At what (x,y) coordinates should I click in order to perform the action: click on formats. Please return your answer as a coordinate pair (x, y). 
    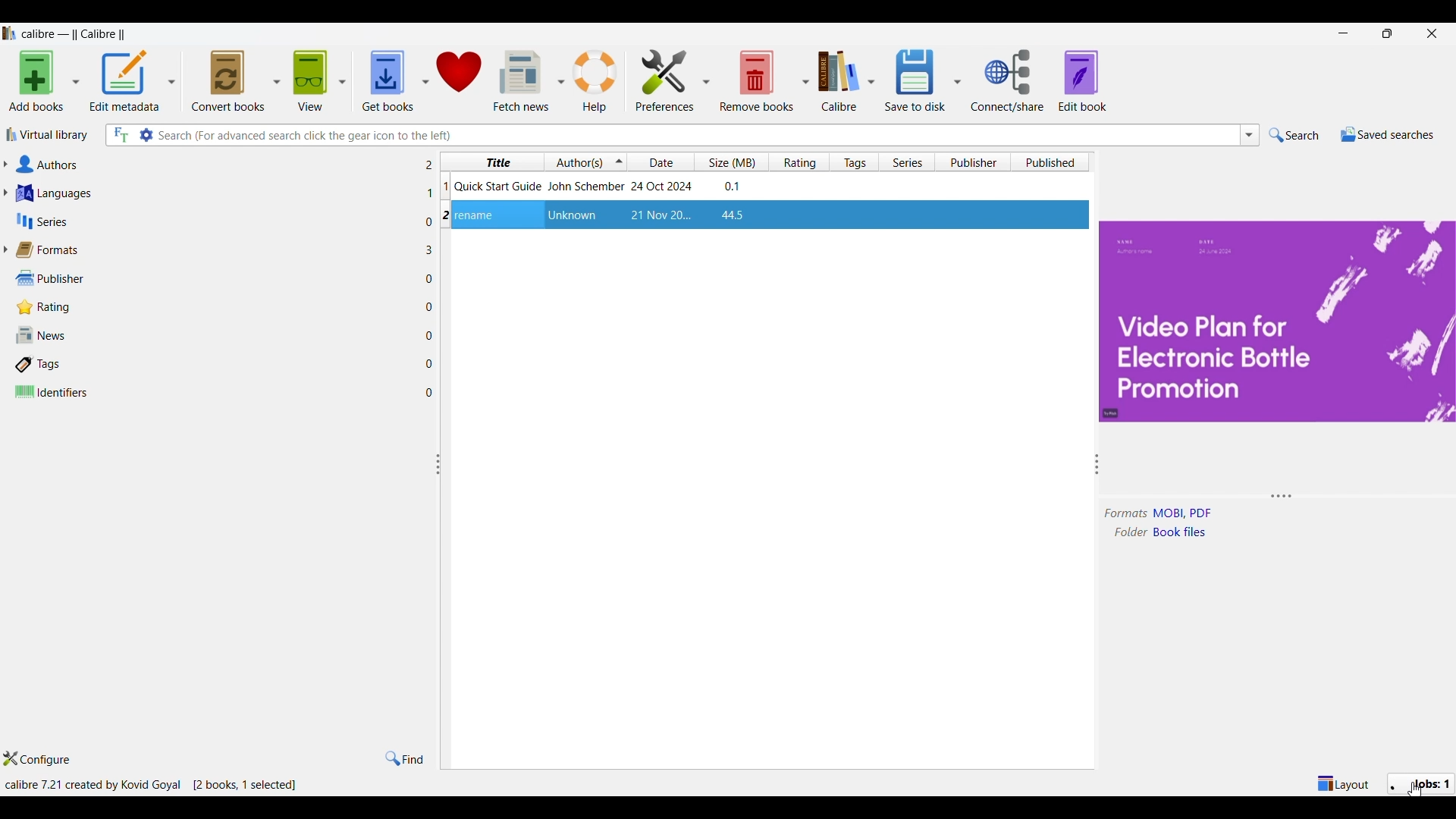
    Looking at the image, I should click on (1126, 514).